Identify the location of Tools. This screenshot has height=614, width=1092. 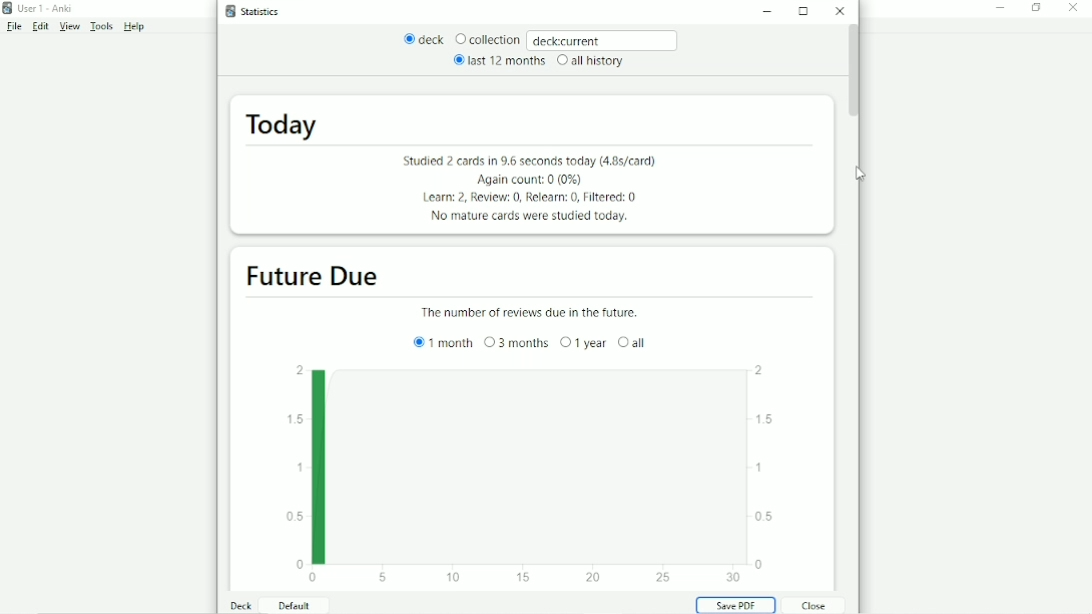
(103, 27).